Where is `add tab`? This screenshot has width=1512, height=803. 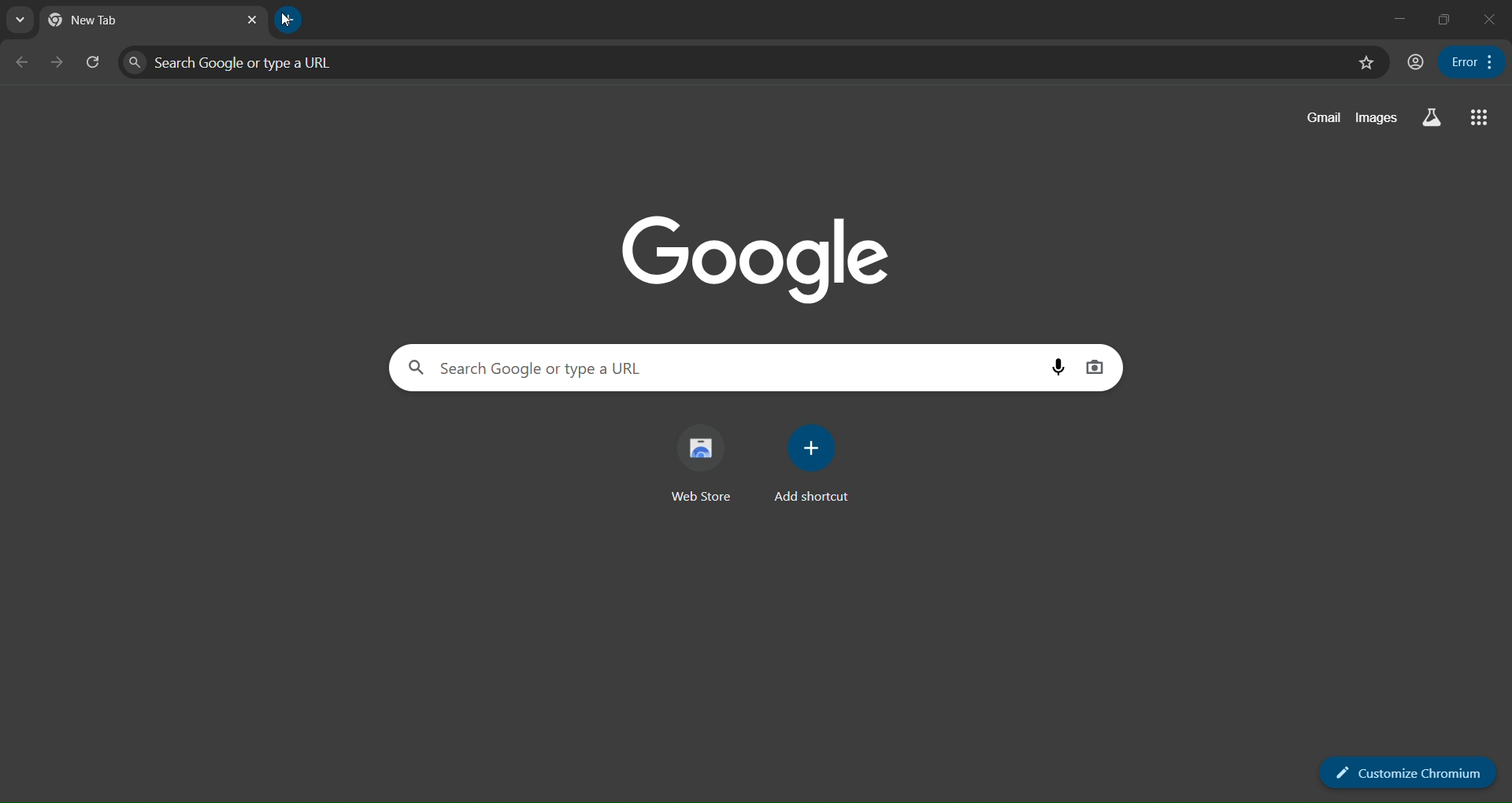 add tab is located at coordinates (293, 19).